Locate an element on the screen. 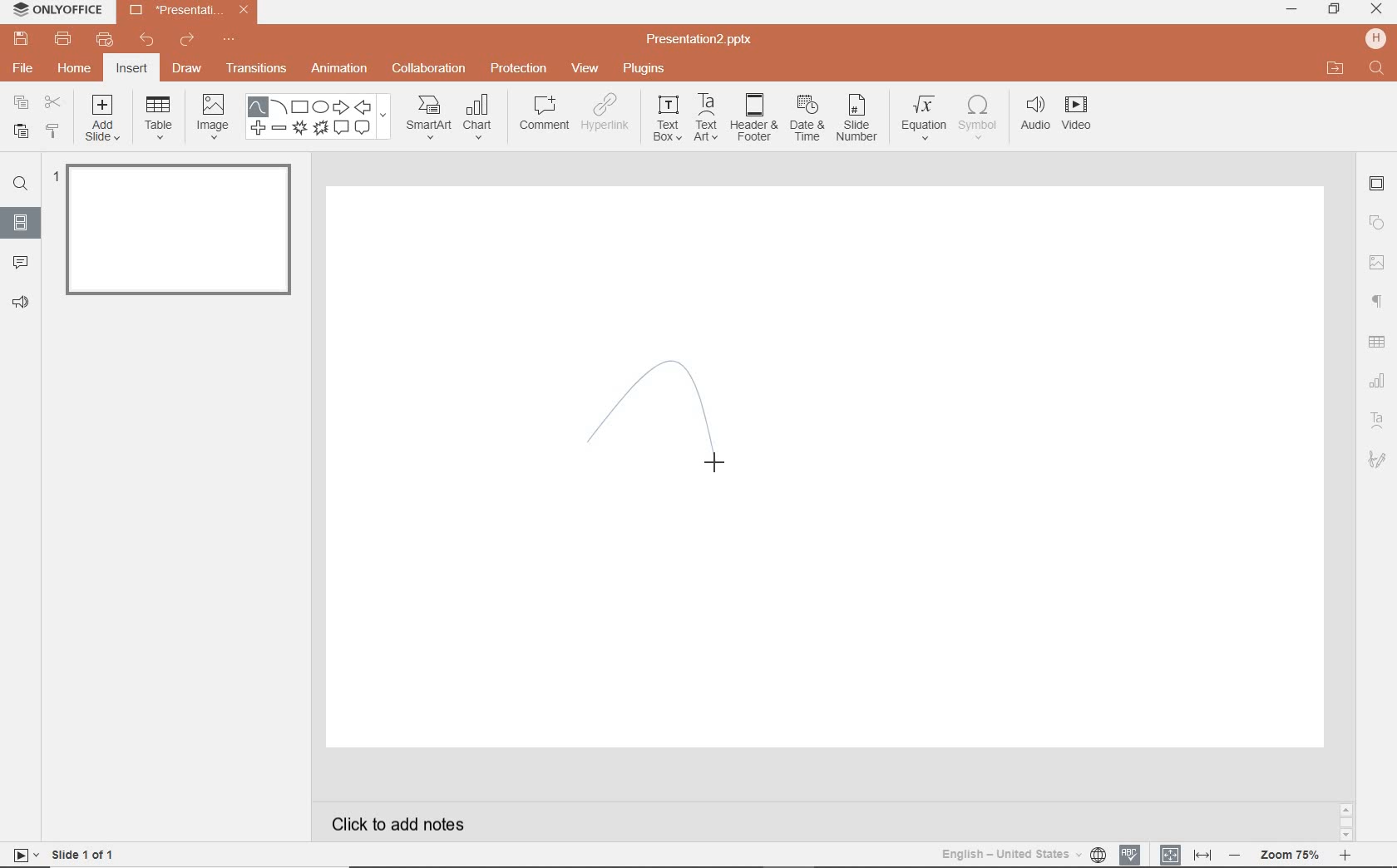 Image resolution: width=1397 pixels, height=868 pixels. SLIDES is located at coordinates (20, 222).